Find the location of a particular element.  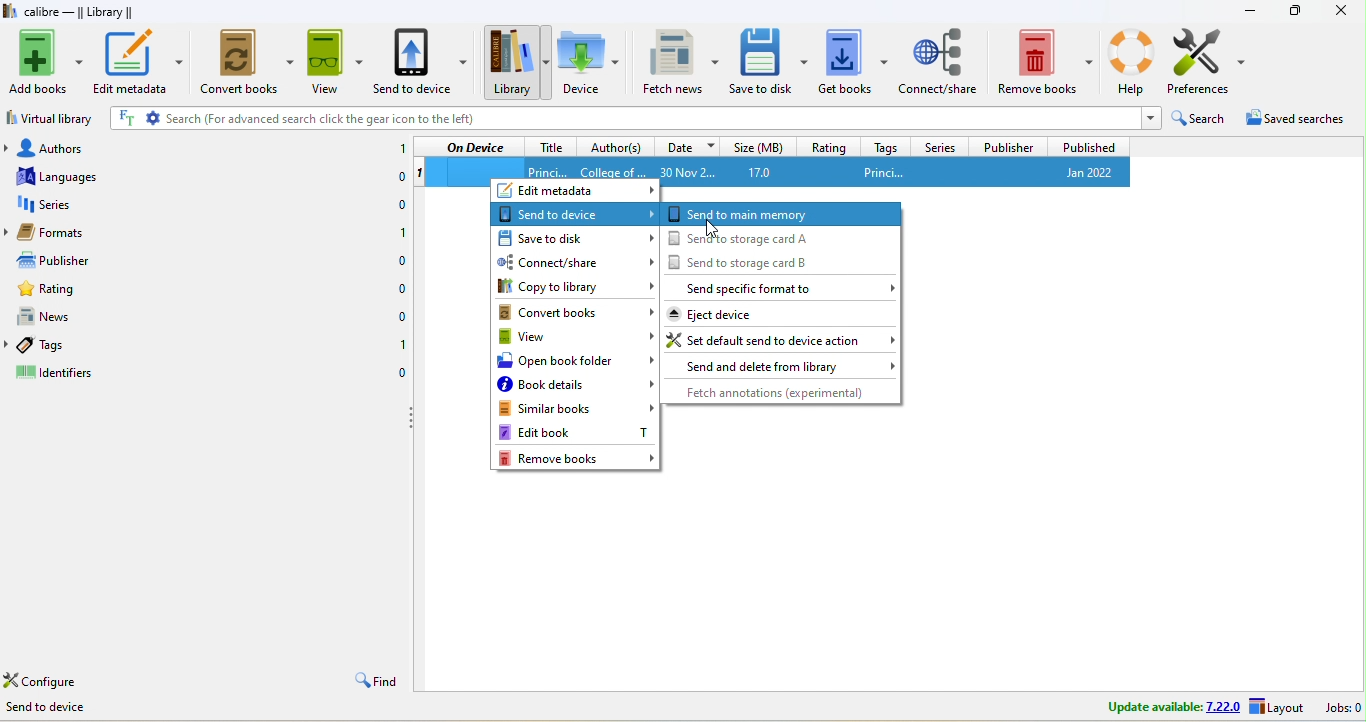

virtual library is located at coordinates (53, 117).